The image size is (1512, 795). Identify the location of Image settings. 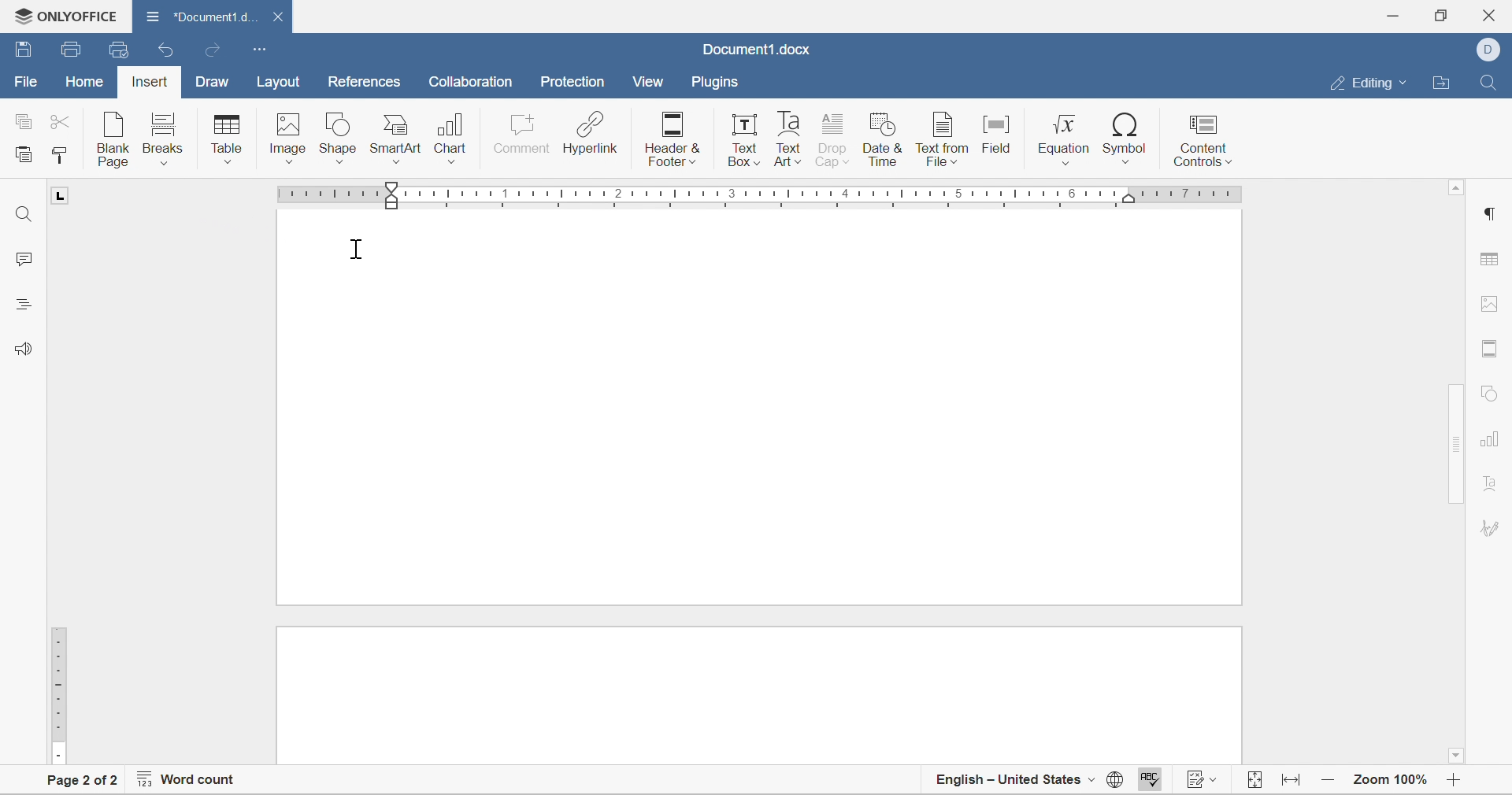
(1494, 307).